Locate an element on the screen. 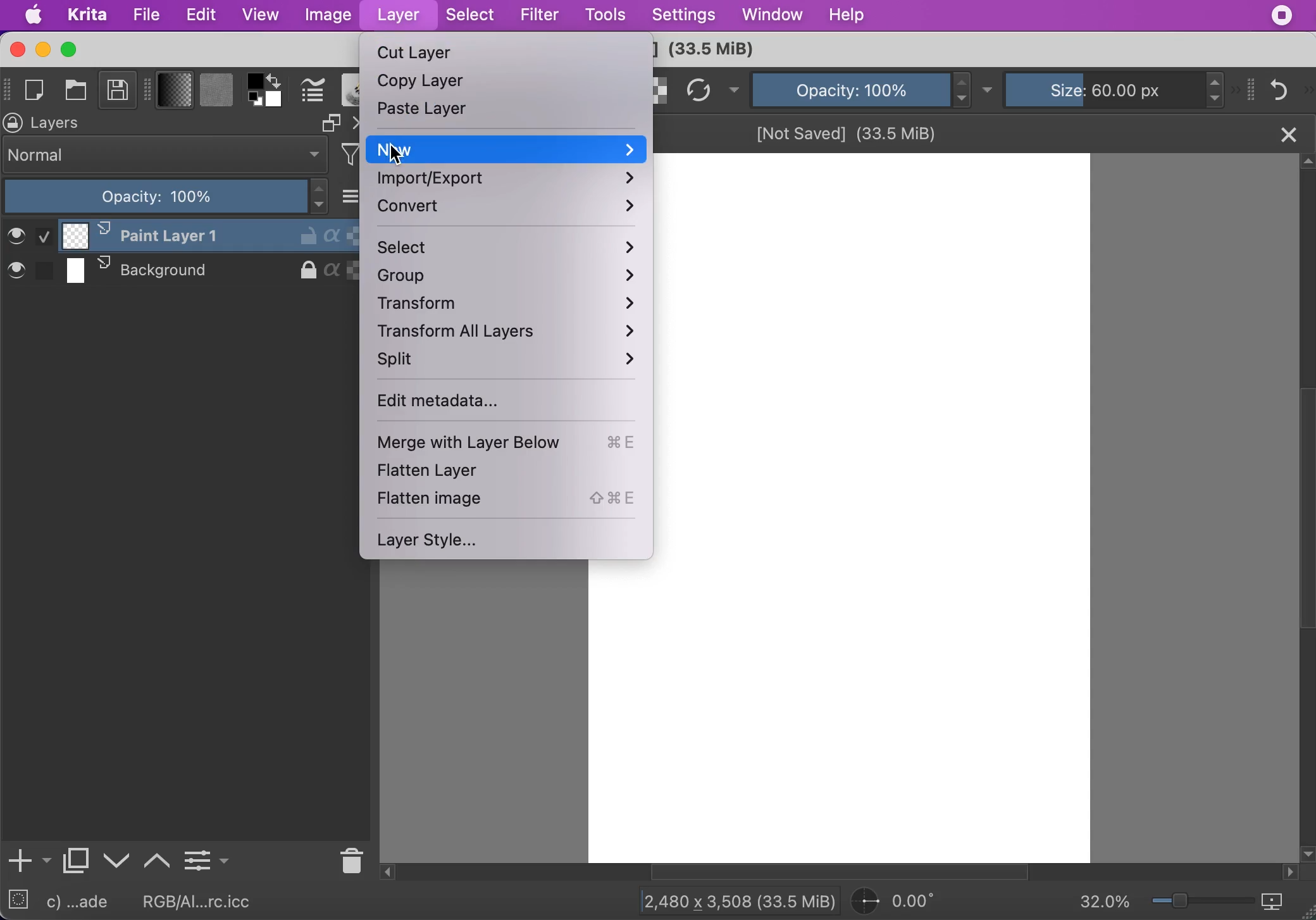 The image size is (1316, 920). layer is located at coordinates (397, 16).